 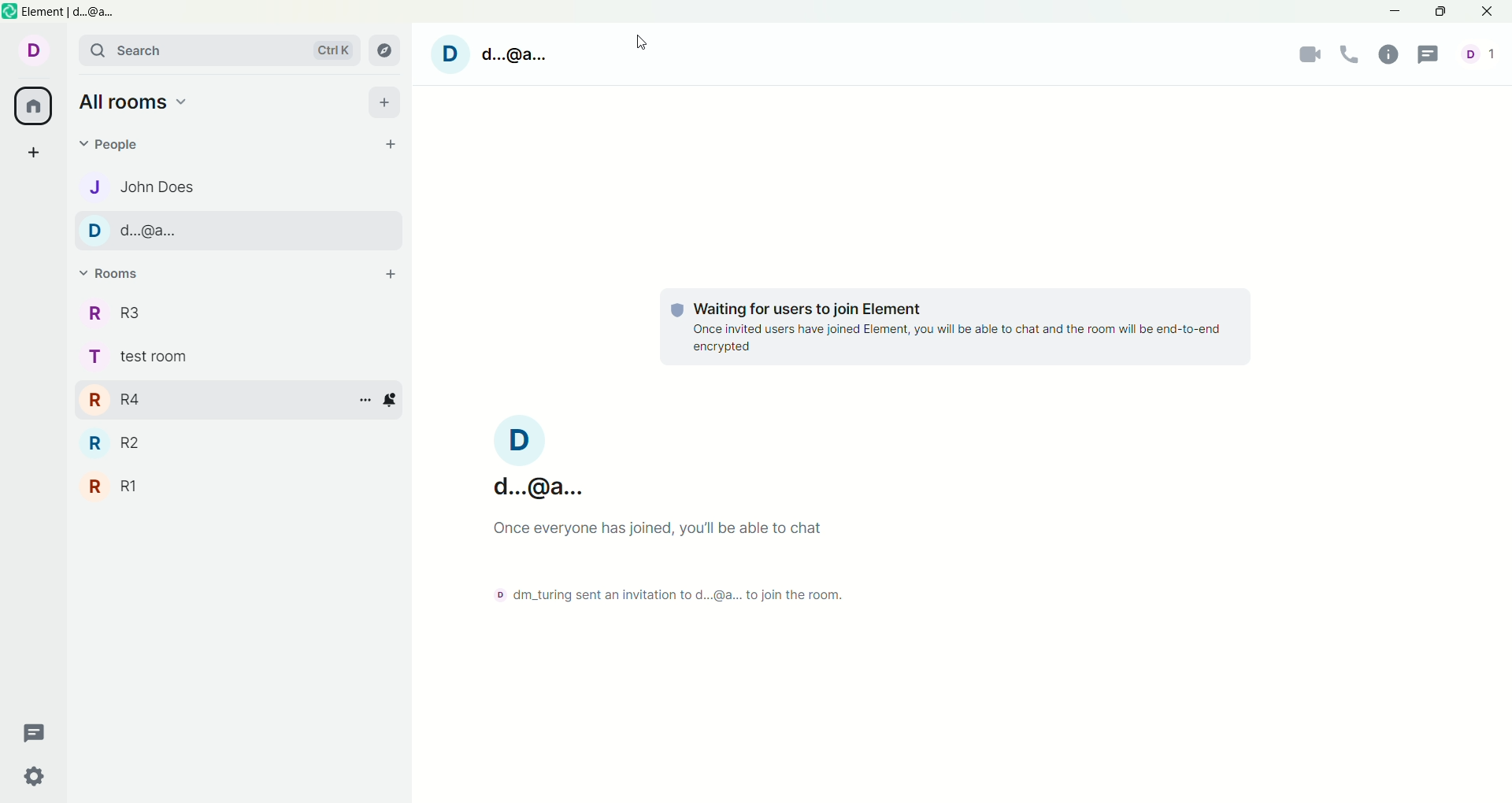 I want to click on add, so click(x=391, y=273).